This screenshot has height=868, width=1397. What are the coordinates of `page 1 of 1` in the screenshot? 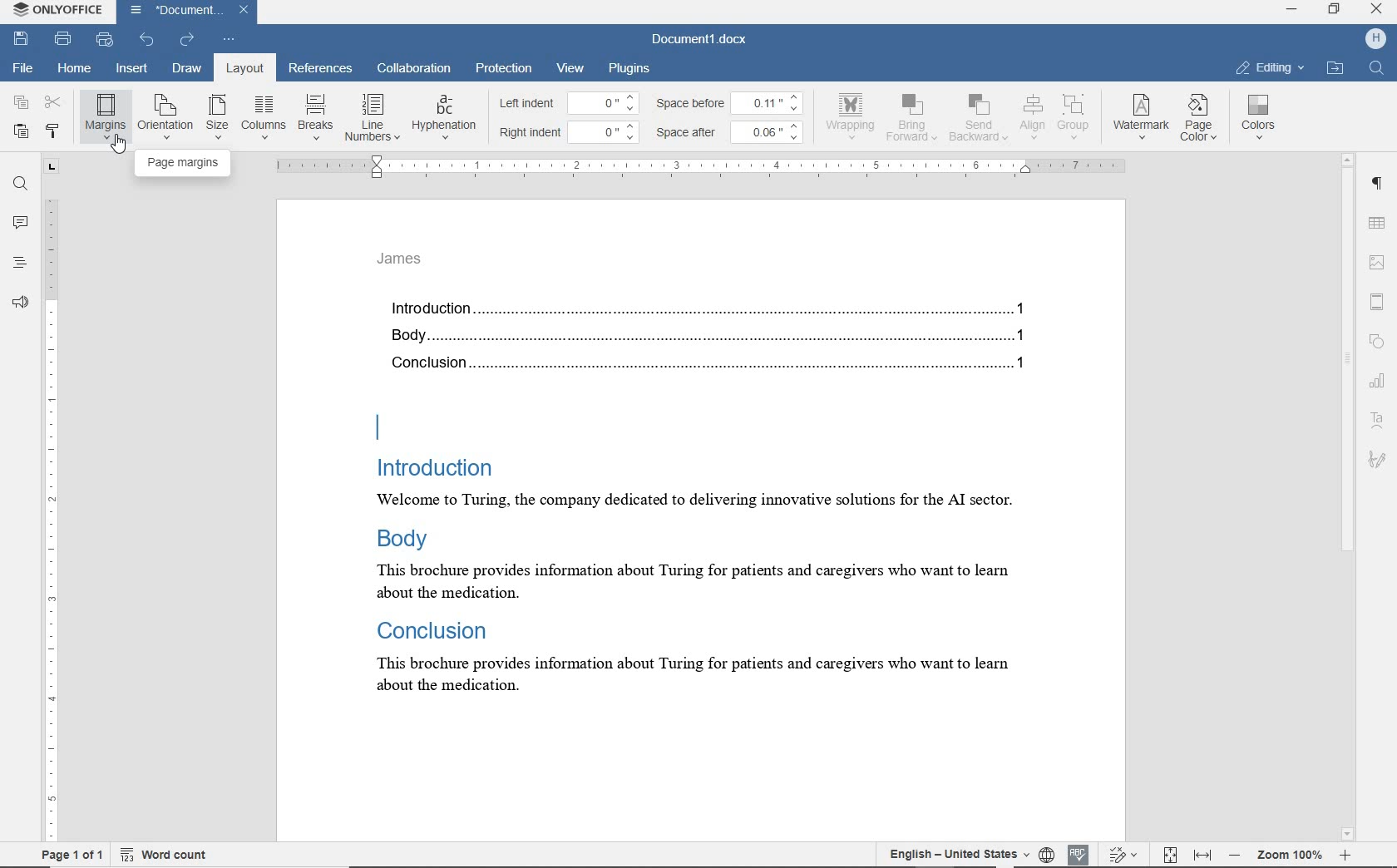 It's located at (72, 854).